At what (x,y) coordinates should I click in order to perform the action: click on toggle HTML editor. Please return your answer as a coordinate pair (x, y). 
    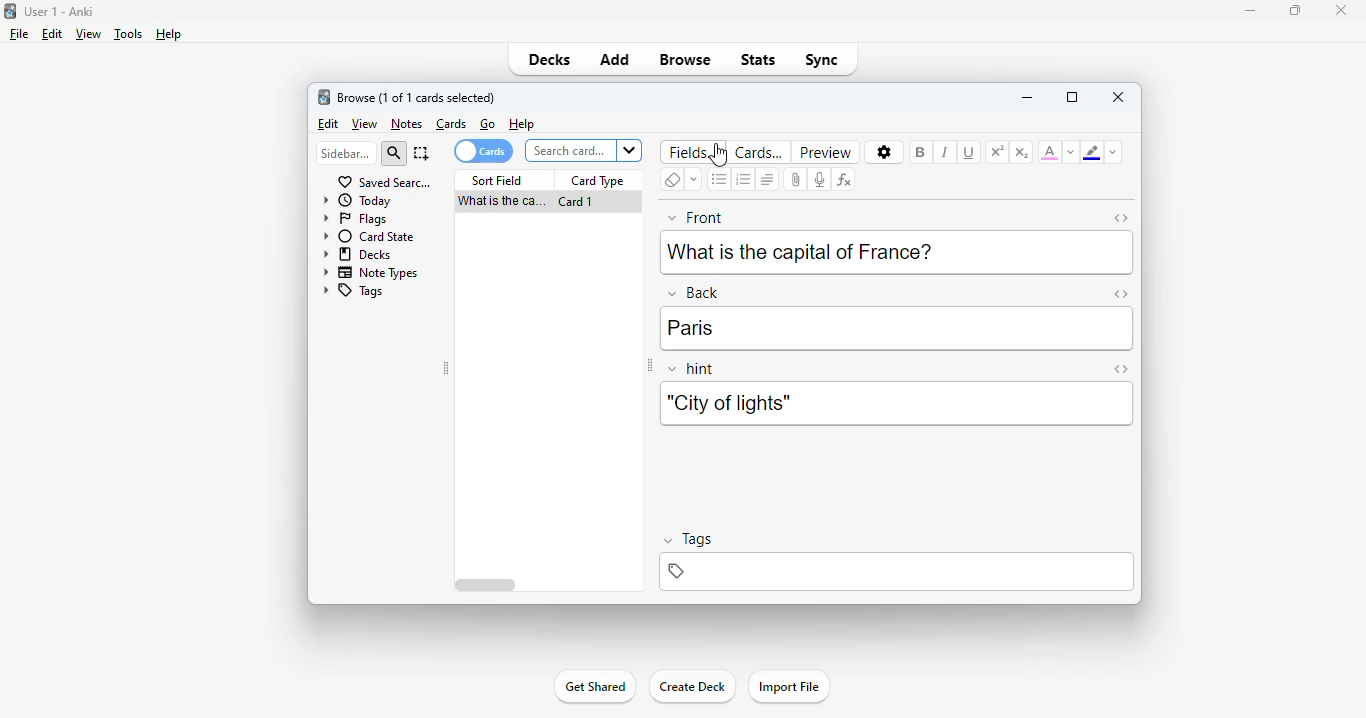
    Looking at the image, I should click on (1120, 369).